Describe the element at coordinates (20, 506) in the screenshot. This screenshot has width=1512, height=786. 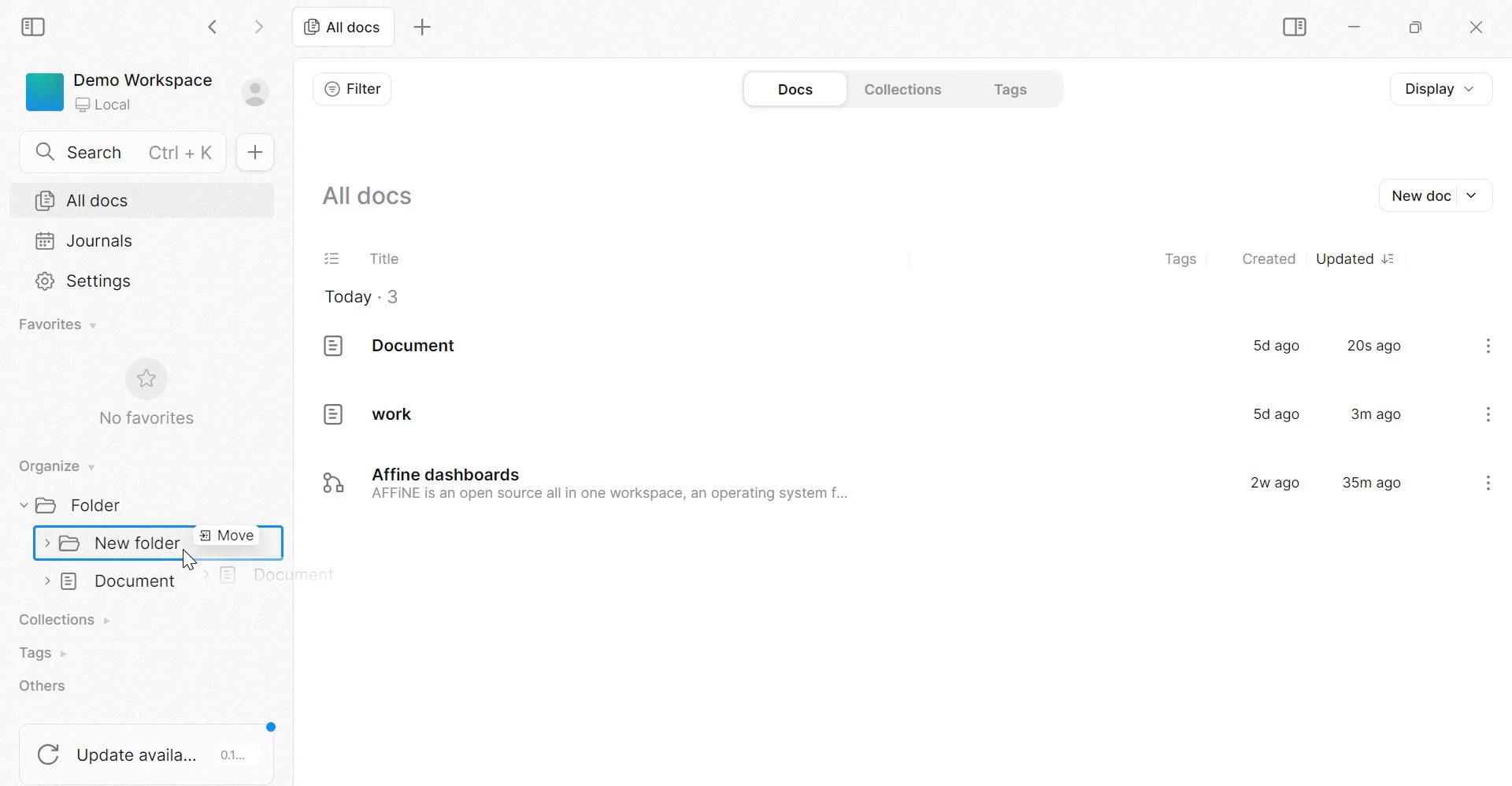
I see `collapse/expand` at that location.